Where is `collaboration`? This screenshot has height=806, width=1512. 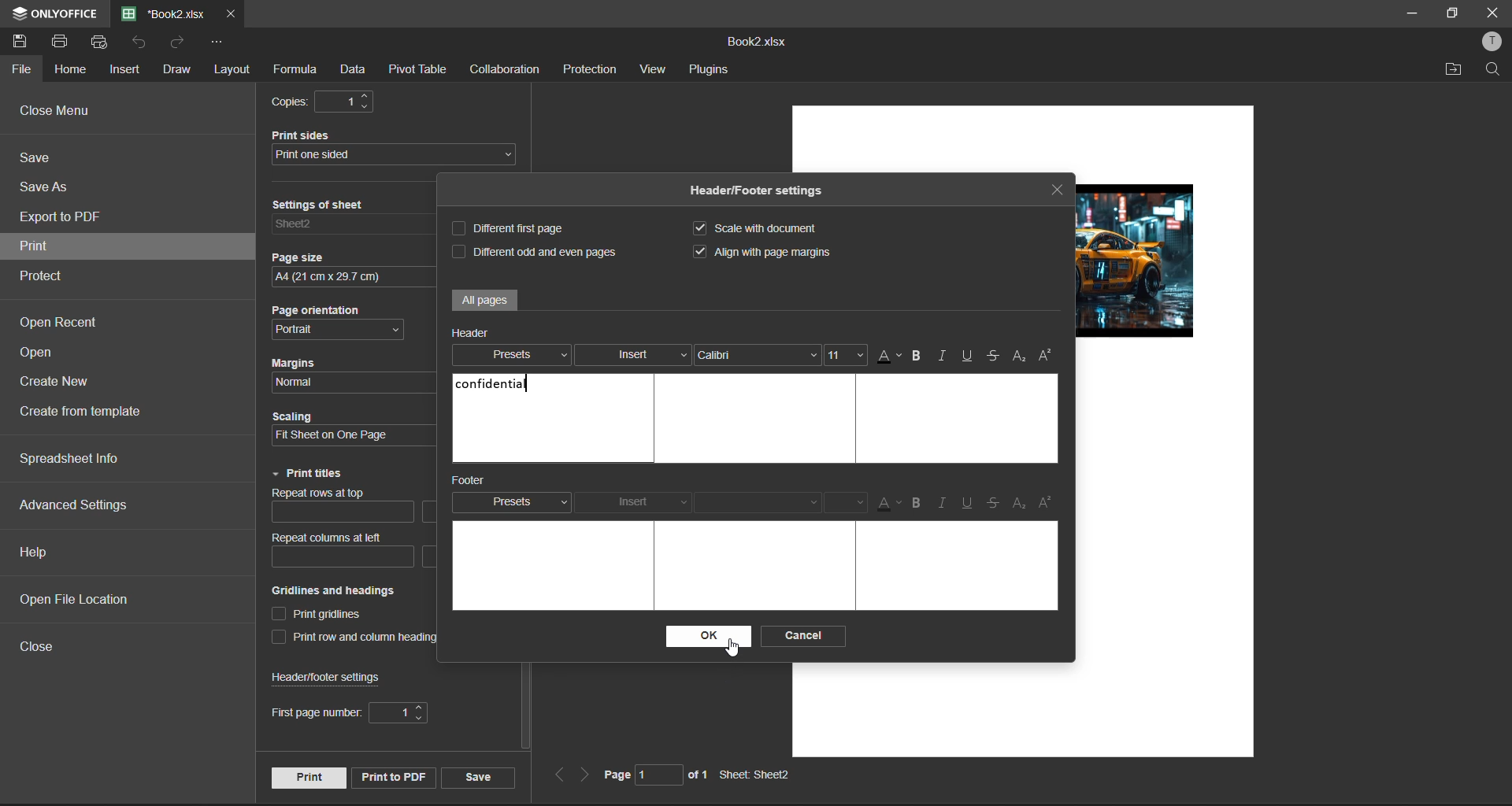 collaboration is located at coordinates (510, 69).